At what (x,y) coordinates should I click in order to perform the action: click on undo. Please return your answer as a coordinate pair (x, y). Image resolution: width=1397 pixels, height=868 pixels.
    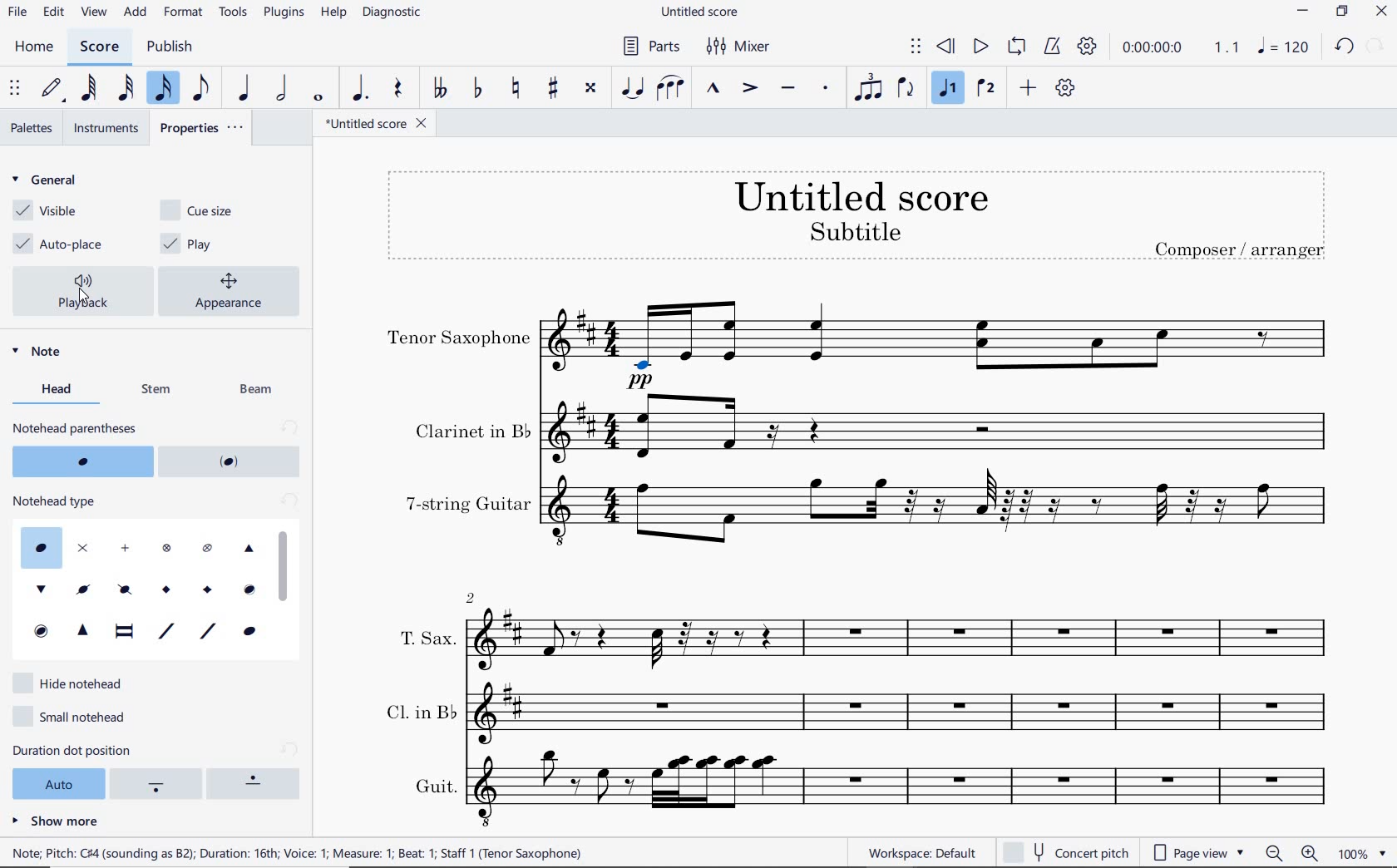
    Looking at the image, I should click on (1345, 47).